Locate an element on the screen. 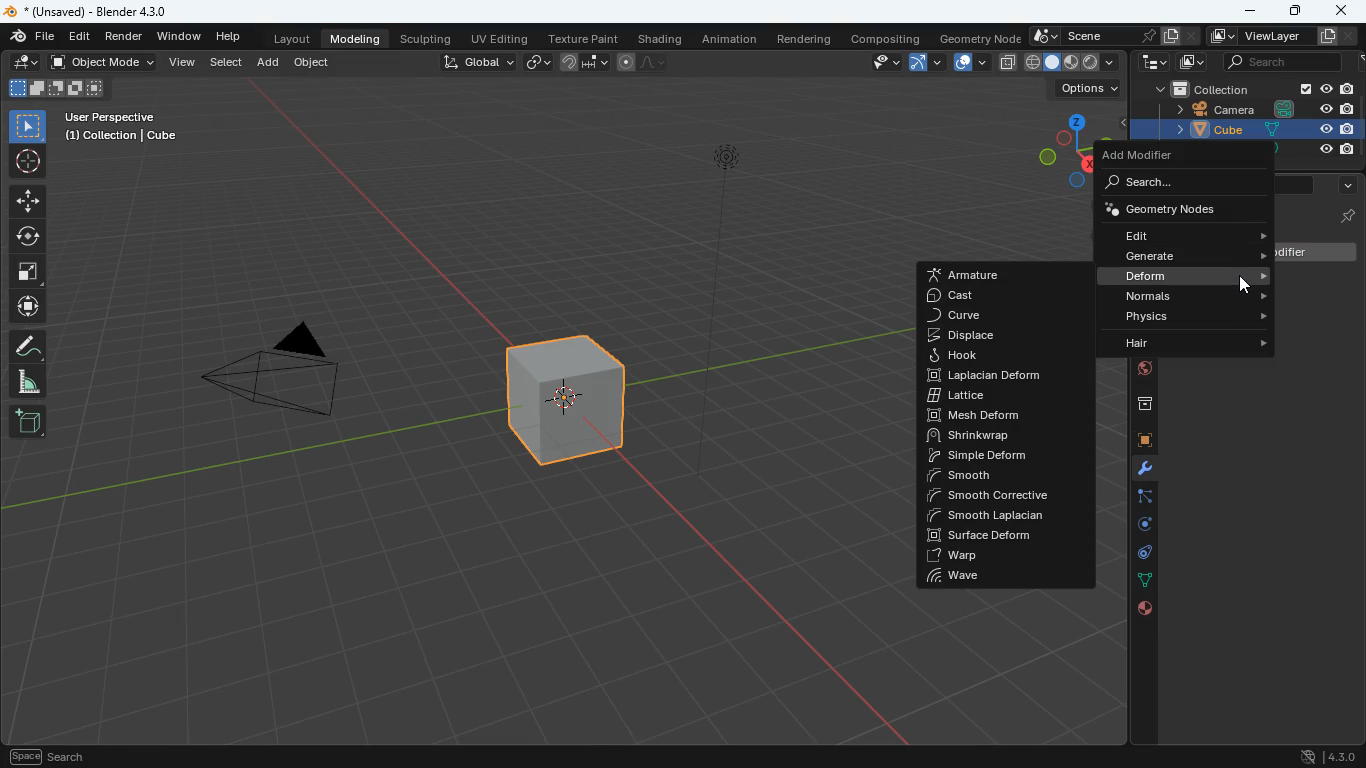 The width and height of the screenshot is (1366, 768). animation is located at coordinates (728, 38).